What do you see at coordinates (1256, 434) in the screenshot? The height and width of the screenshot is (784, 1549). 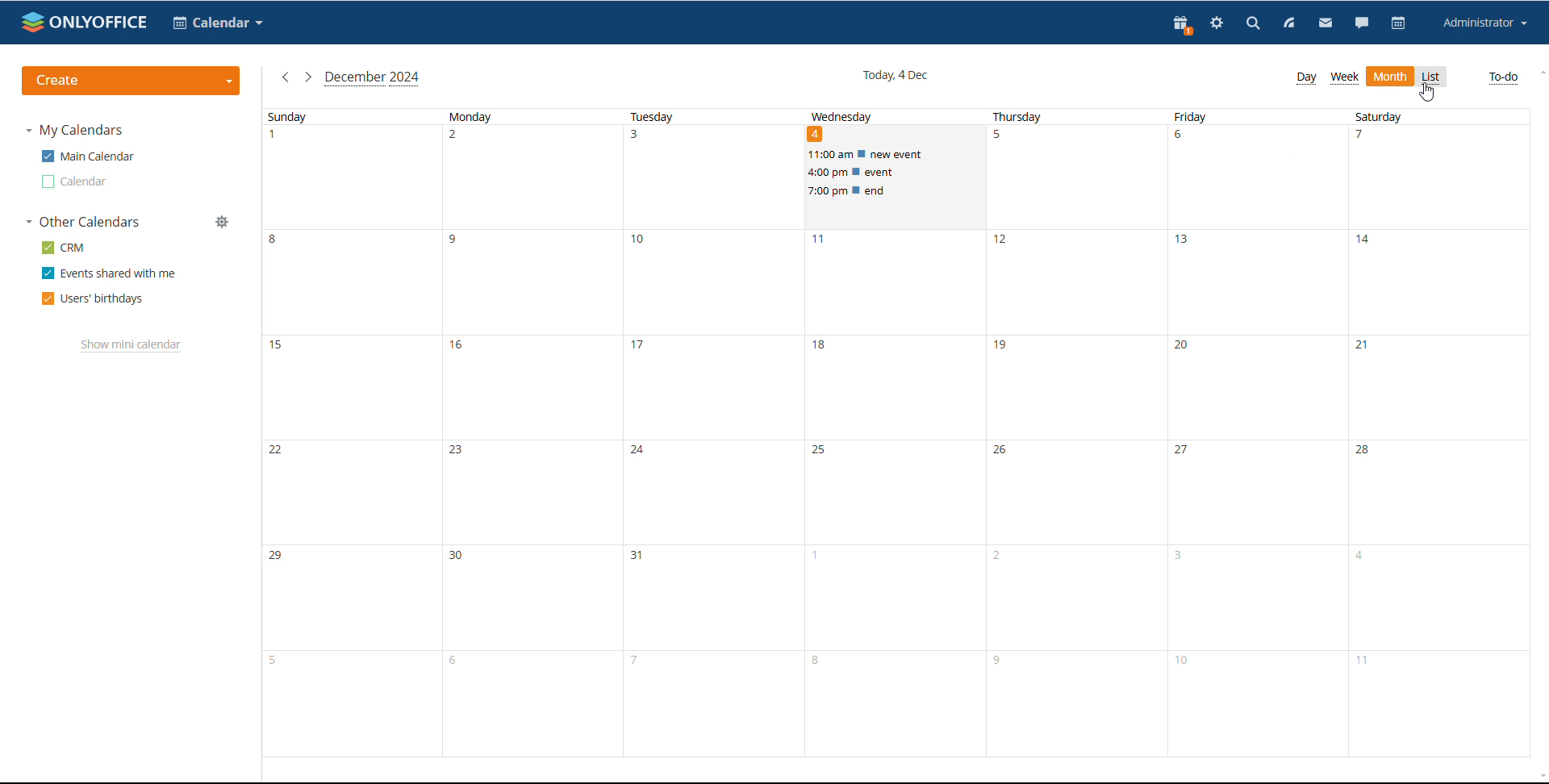 I see `friday` at bounding box center [1256, 434].